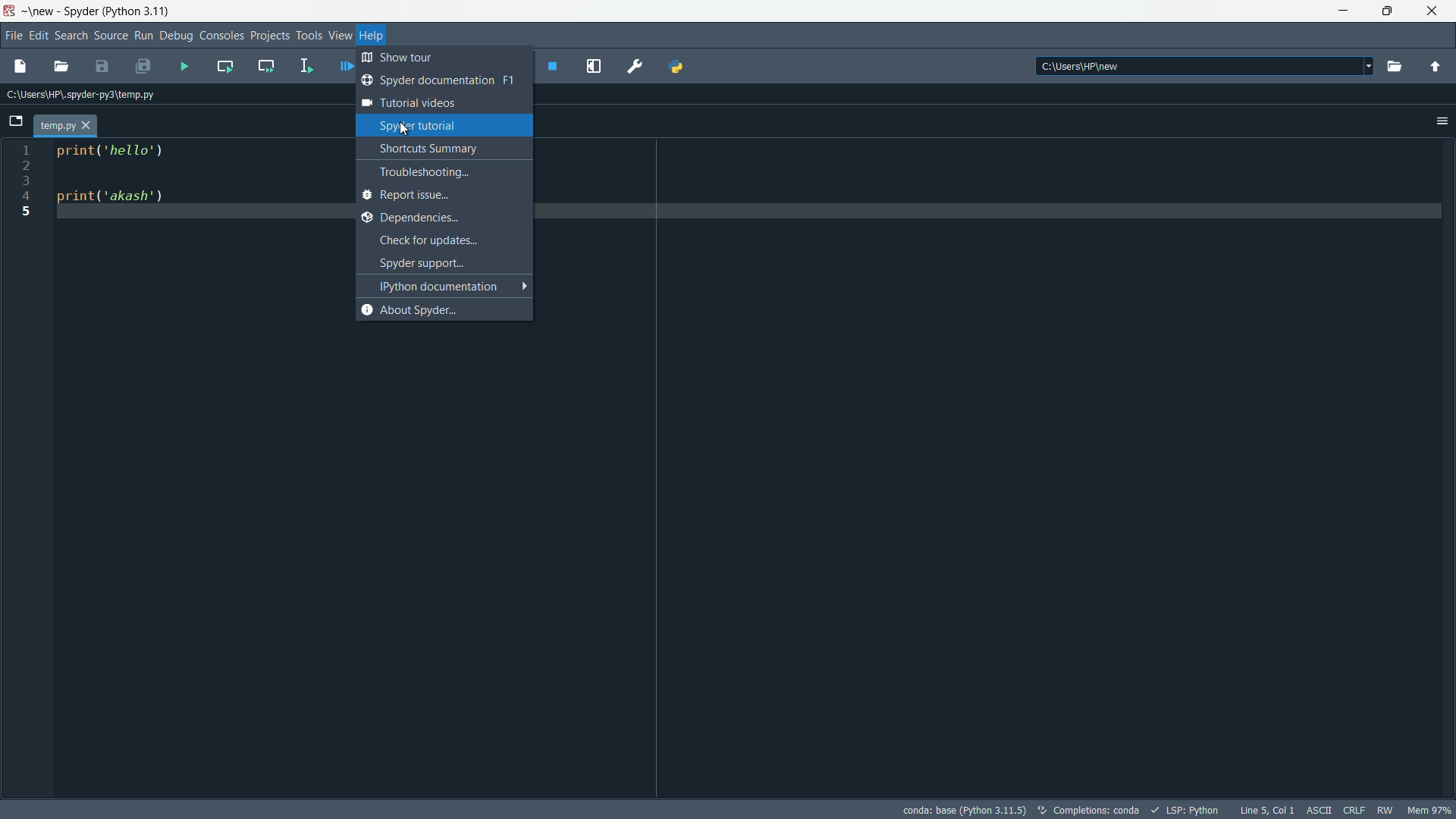 This screenshot has height=819, width=1456. Describe the element at coordinates (1185, 810) in the screenshot. I see `lsp:python` at that location.